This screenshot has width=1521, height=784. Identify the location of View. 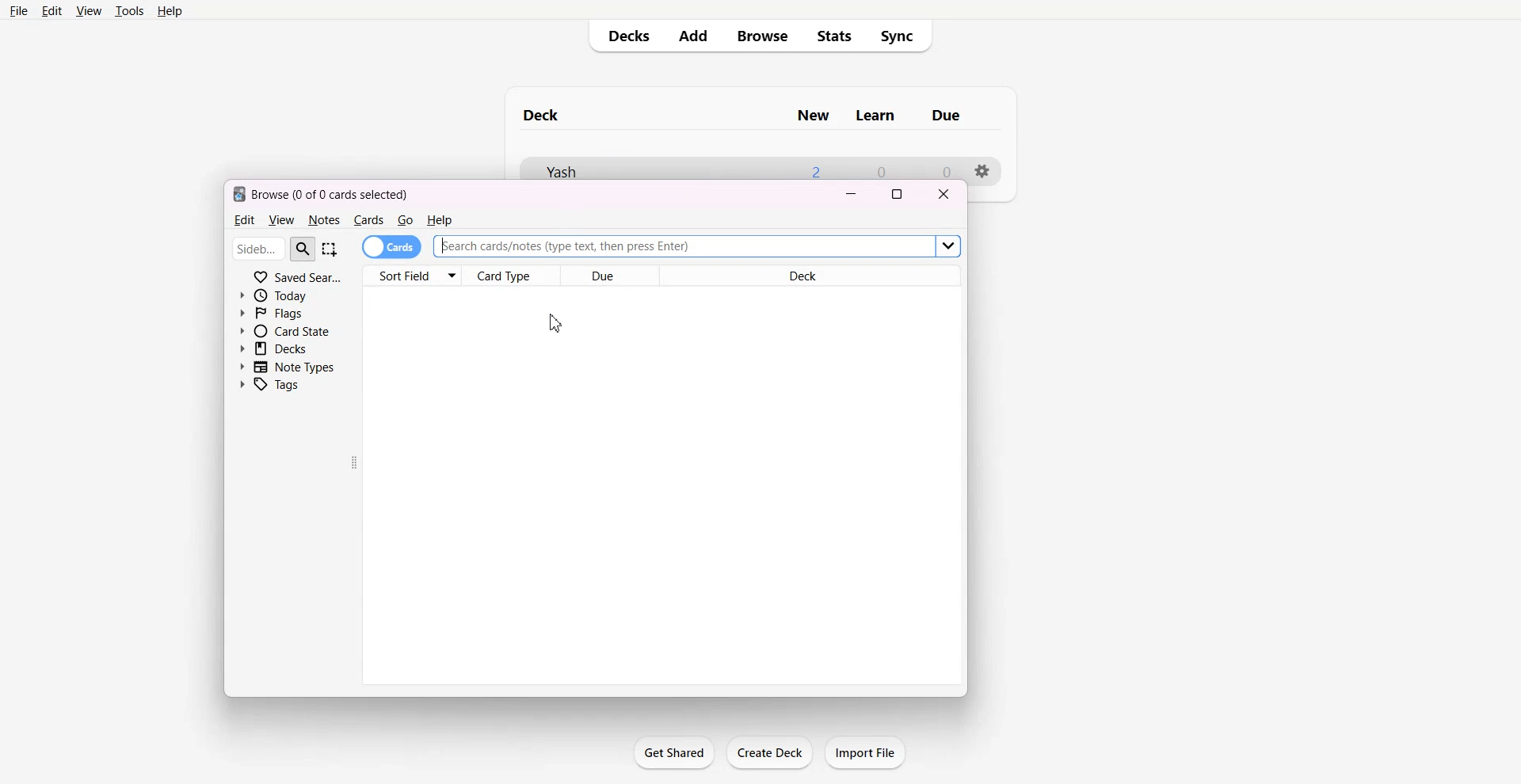
(88, 10).